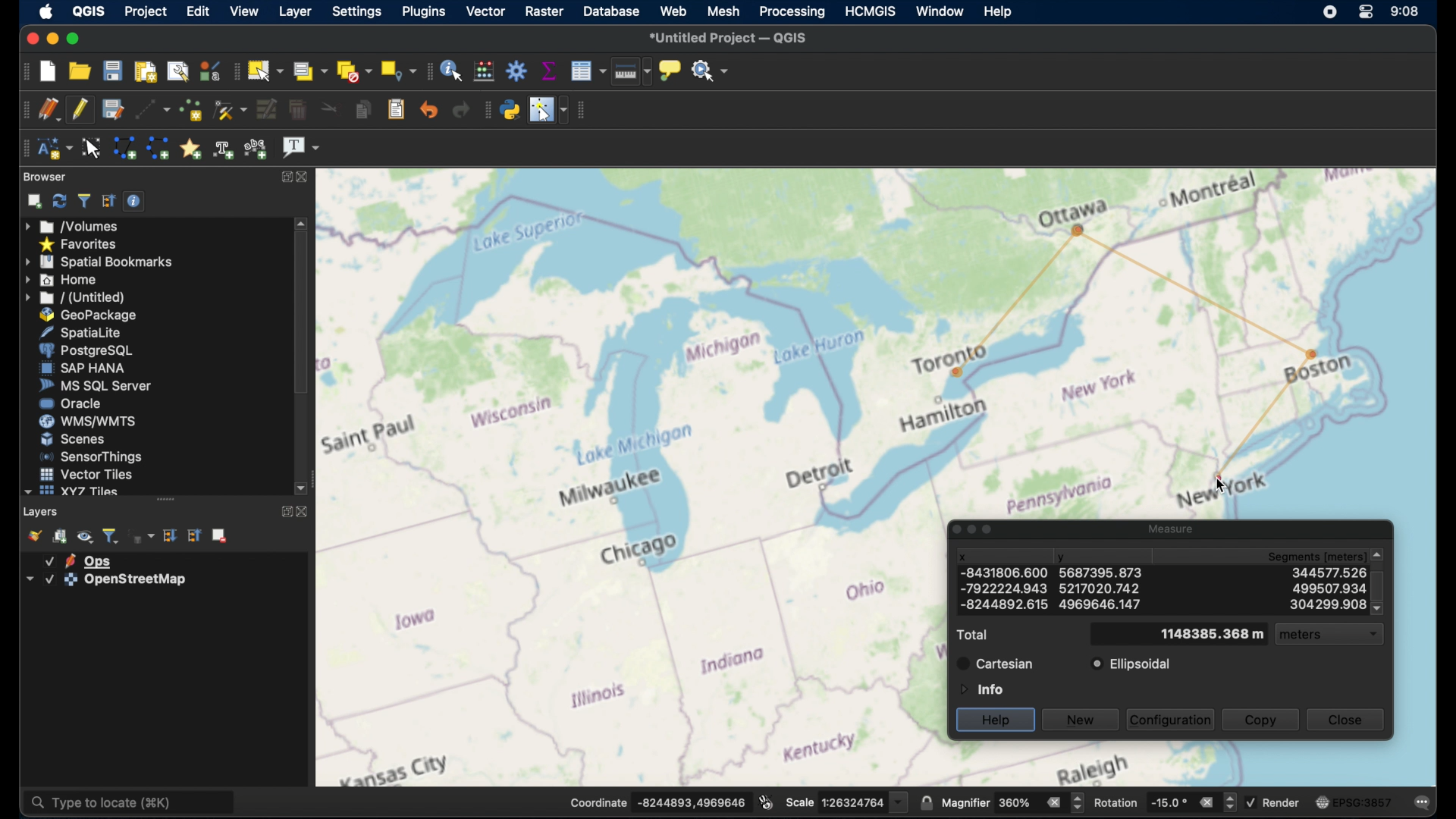 The image size is (1456, 819). What do you see at coordinates (549, 110) in the screenshot?
I see `switches mouse cursor to configurable position` at bounding box center [549, 110].